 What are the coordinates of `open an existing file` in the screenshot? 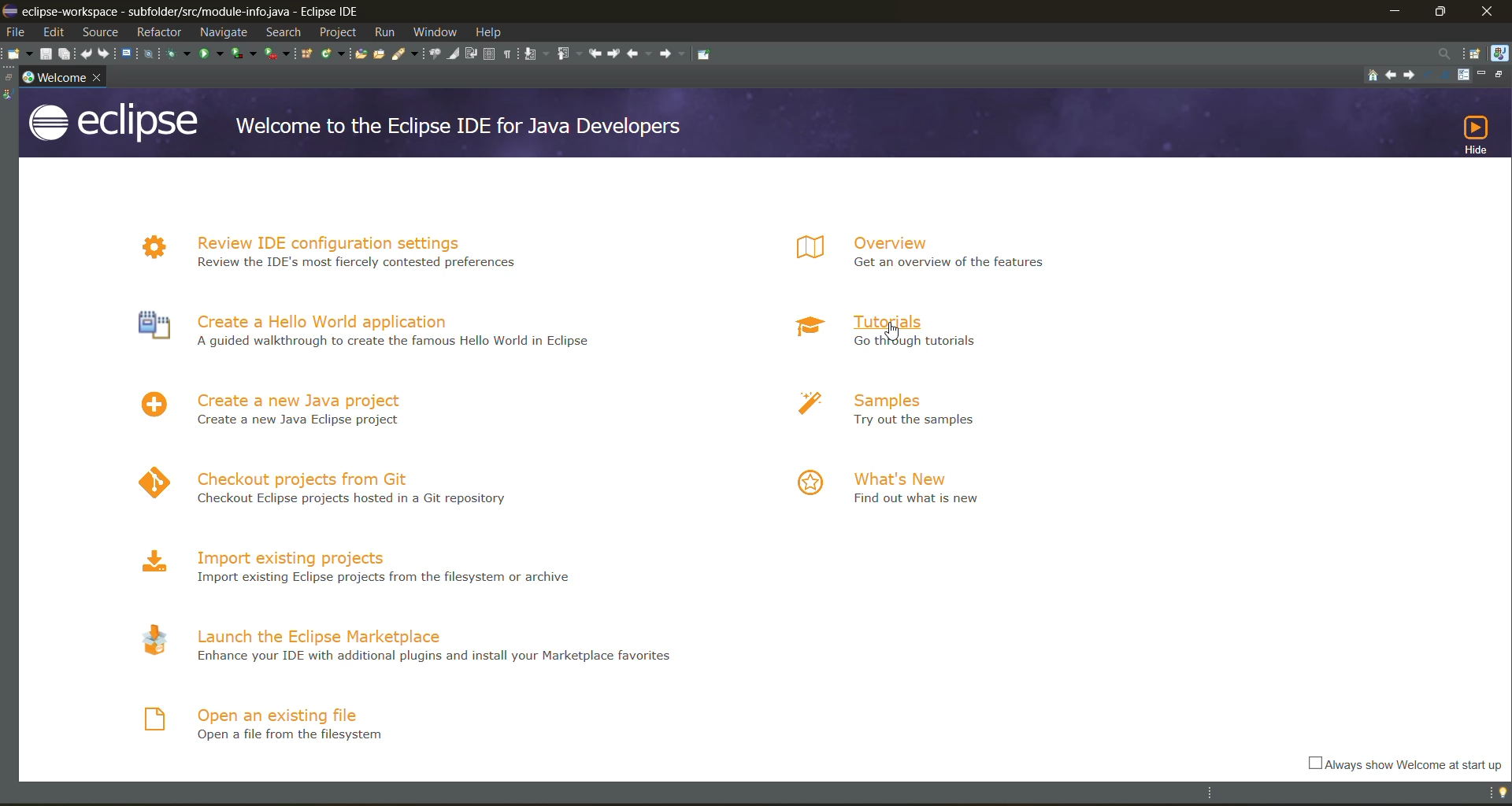 It's located at (280, 727).